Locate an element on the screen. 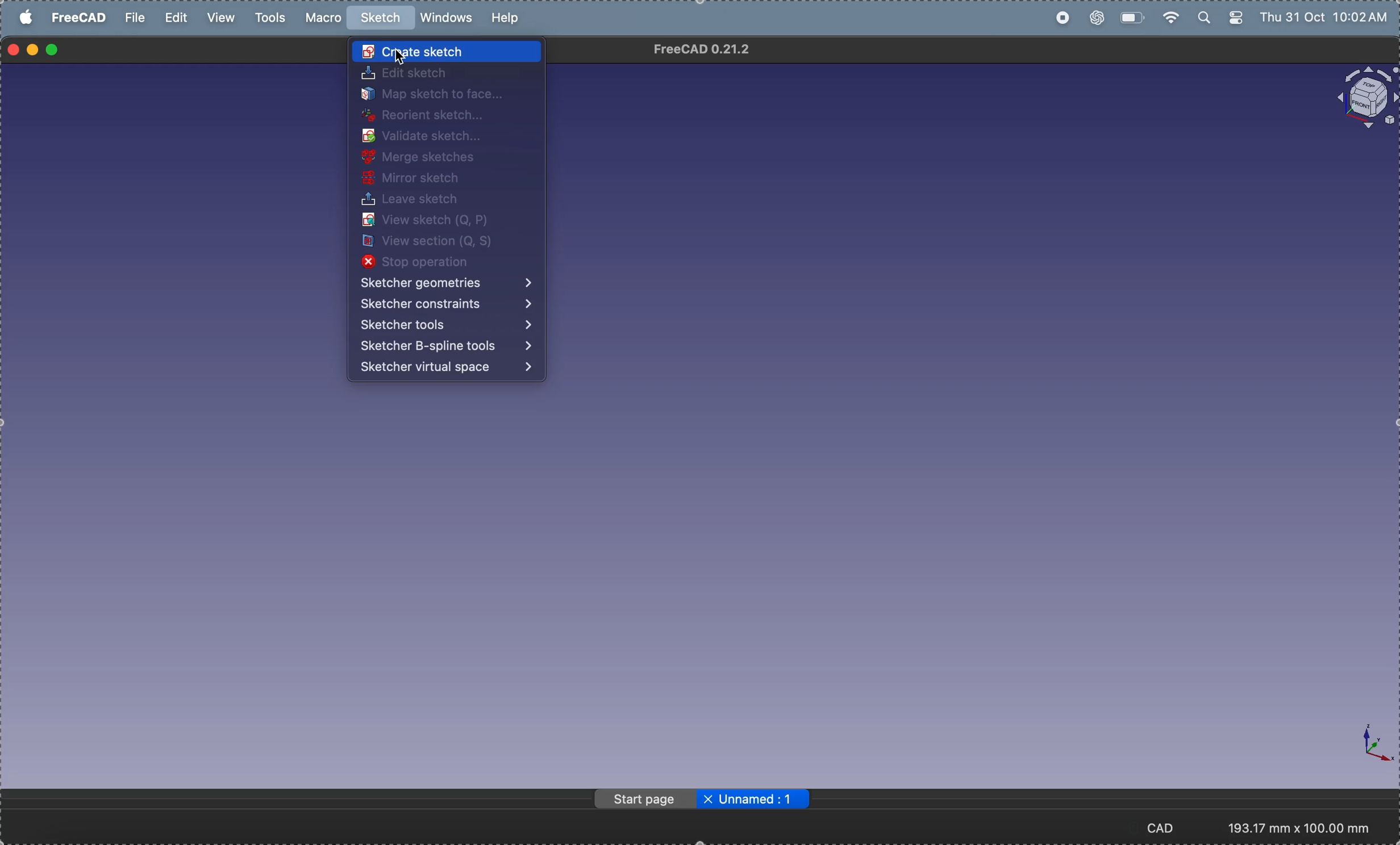 The image size is (1400, 845). minimize is located at coordinates (35, 50).